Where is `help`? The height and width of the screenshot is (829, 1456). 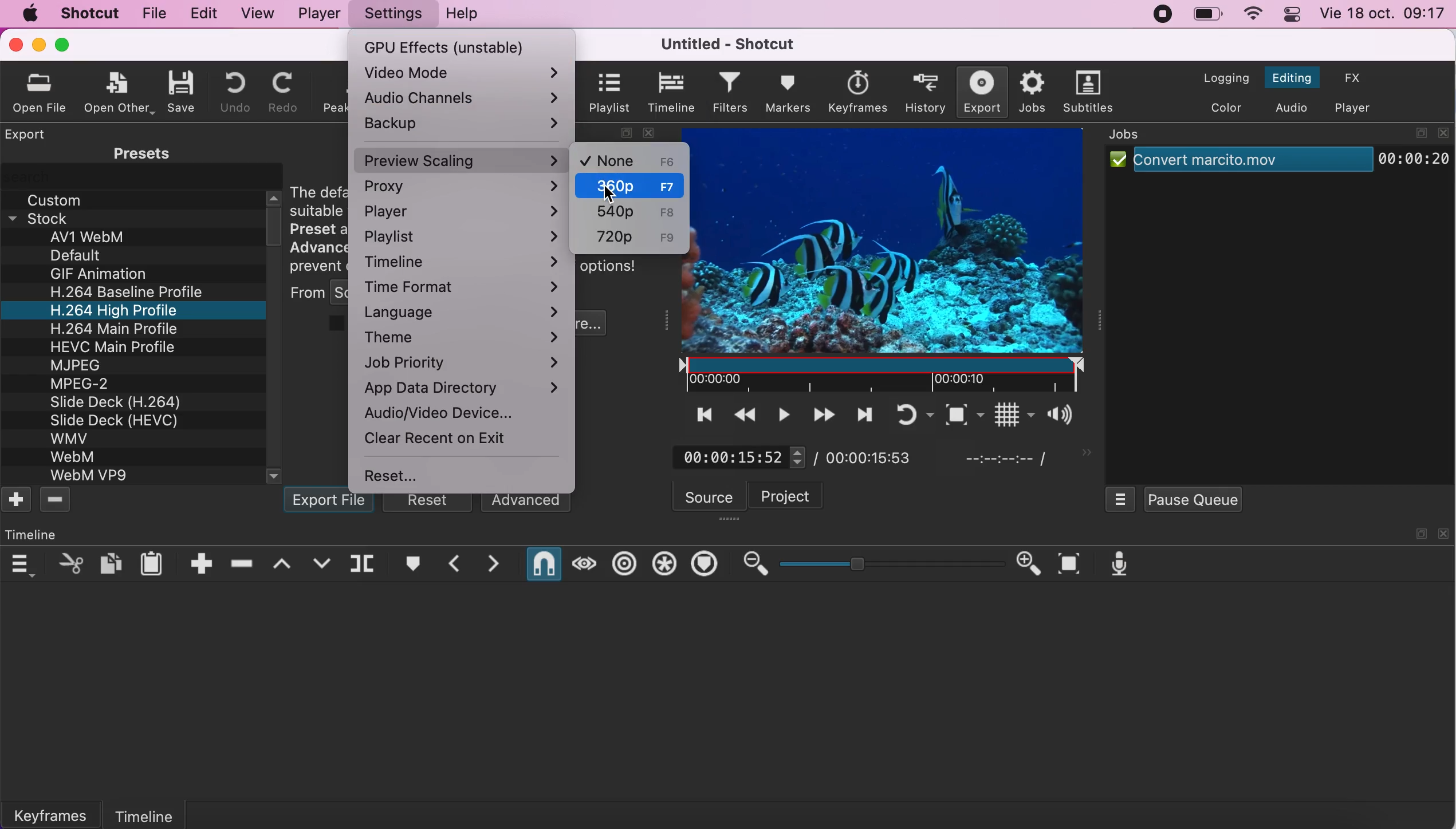
help is located at coordinates (464, 15).